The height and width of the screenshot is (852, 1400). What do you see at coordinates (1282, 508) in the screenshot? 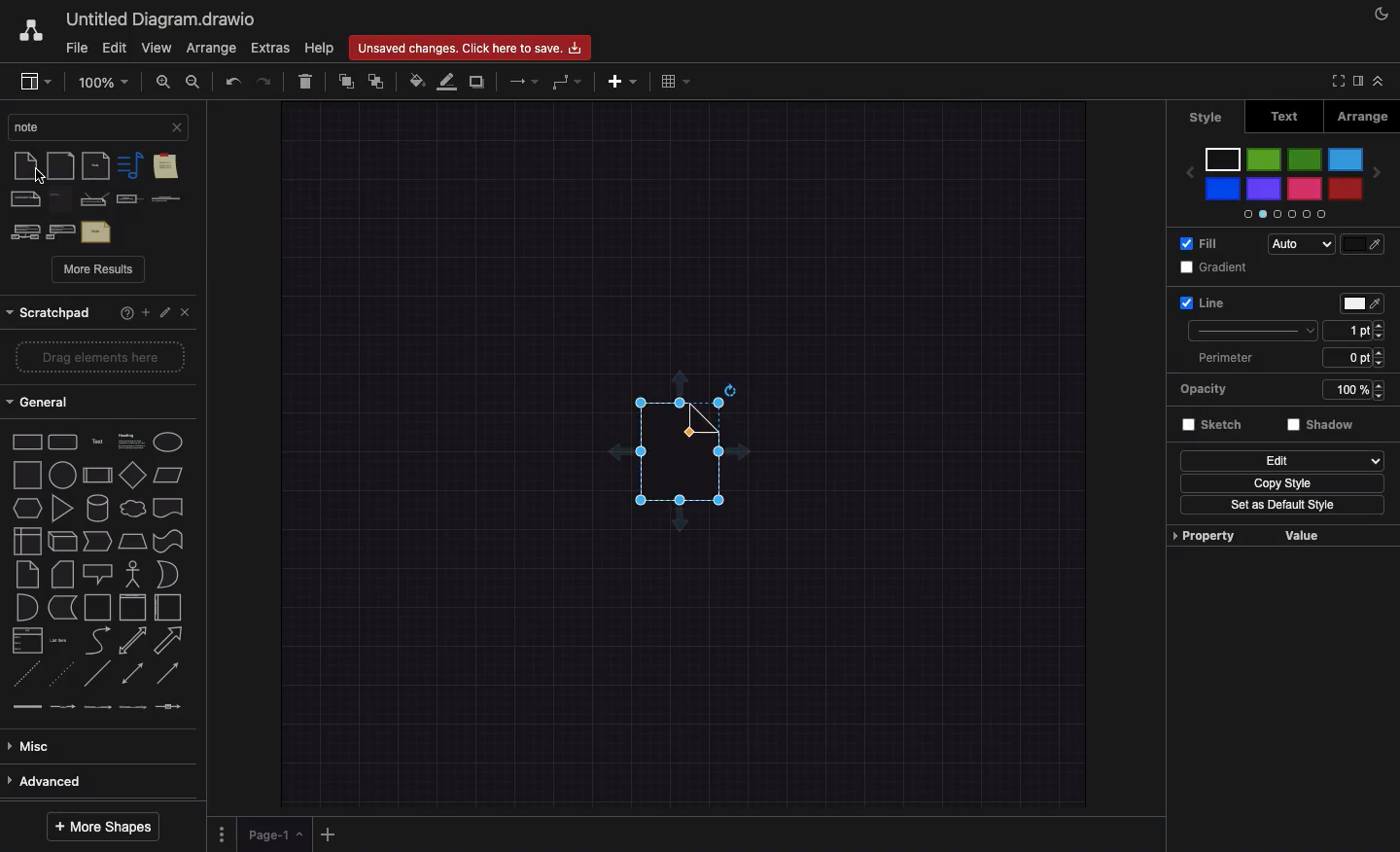
I see `Set as default style` at bounding box center [1282, 508].